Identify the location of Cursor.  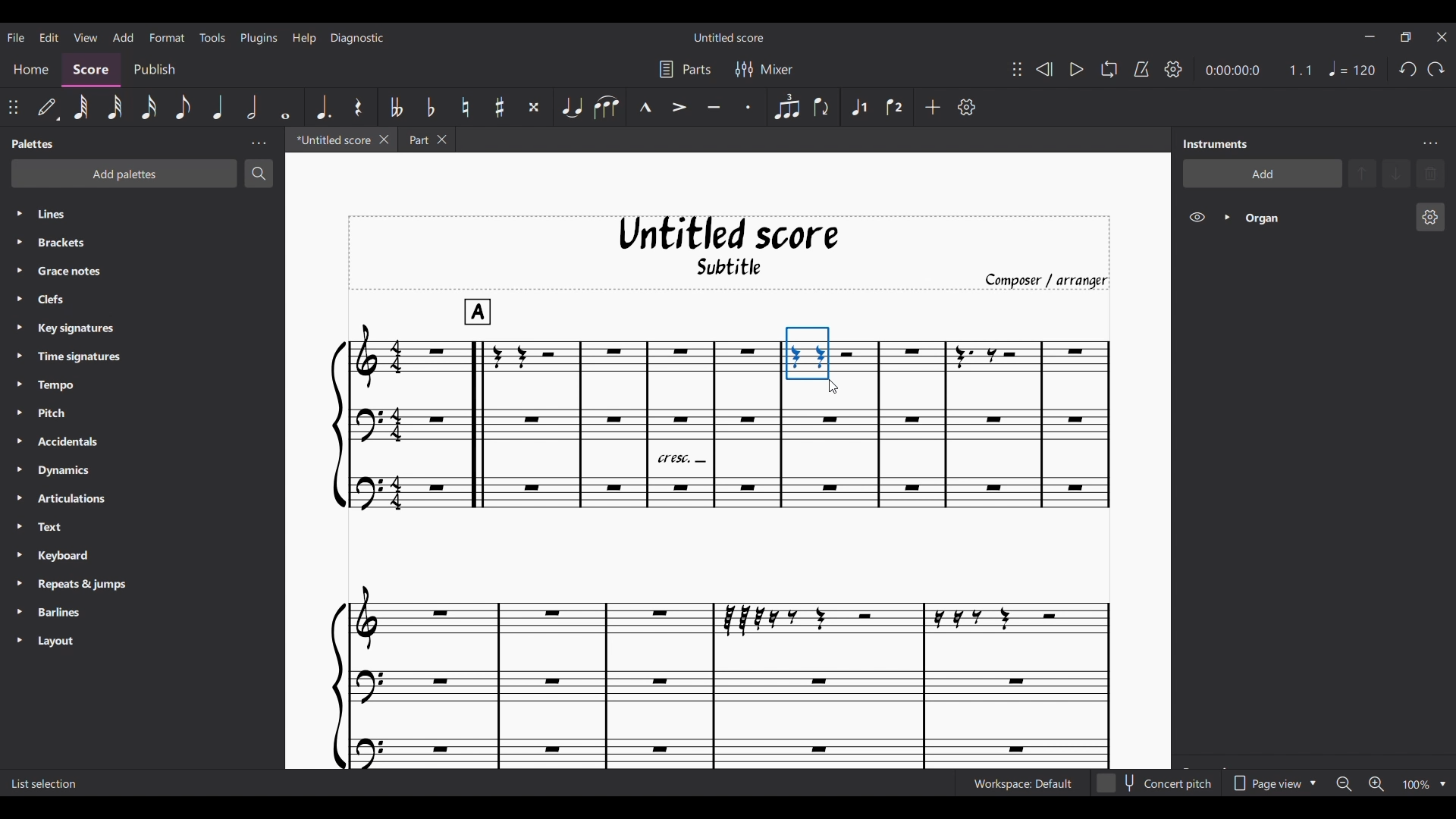
(791, 336).